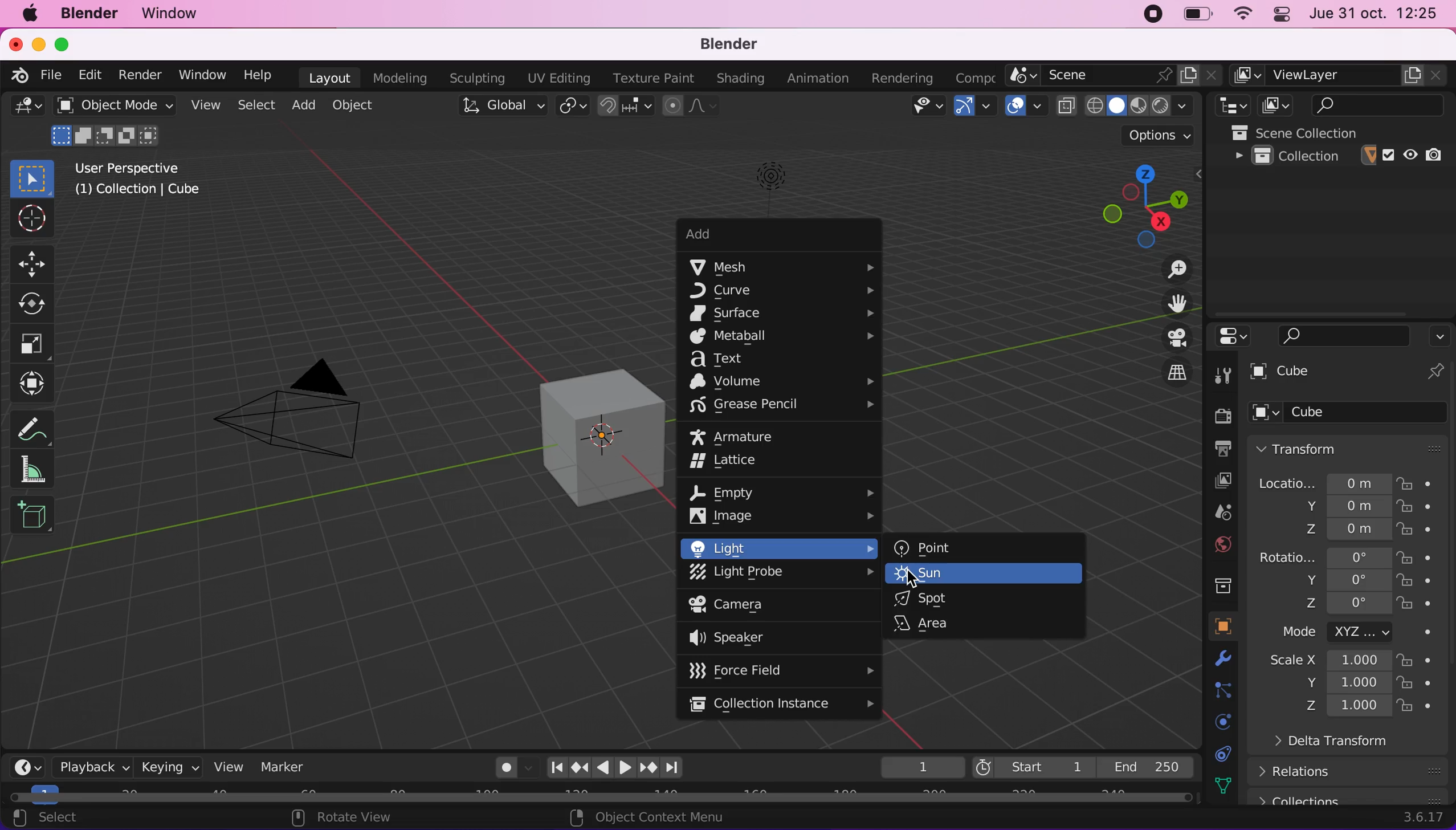 This screenshot has height=830, width=1456. What do you see at coordinates (1023, 106) in the screenshot?
I see `overlays` at bounding box center [1023, 106].